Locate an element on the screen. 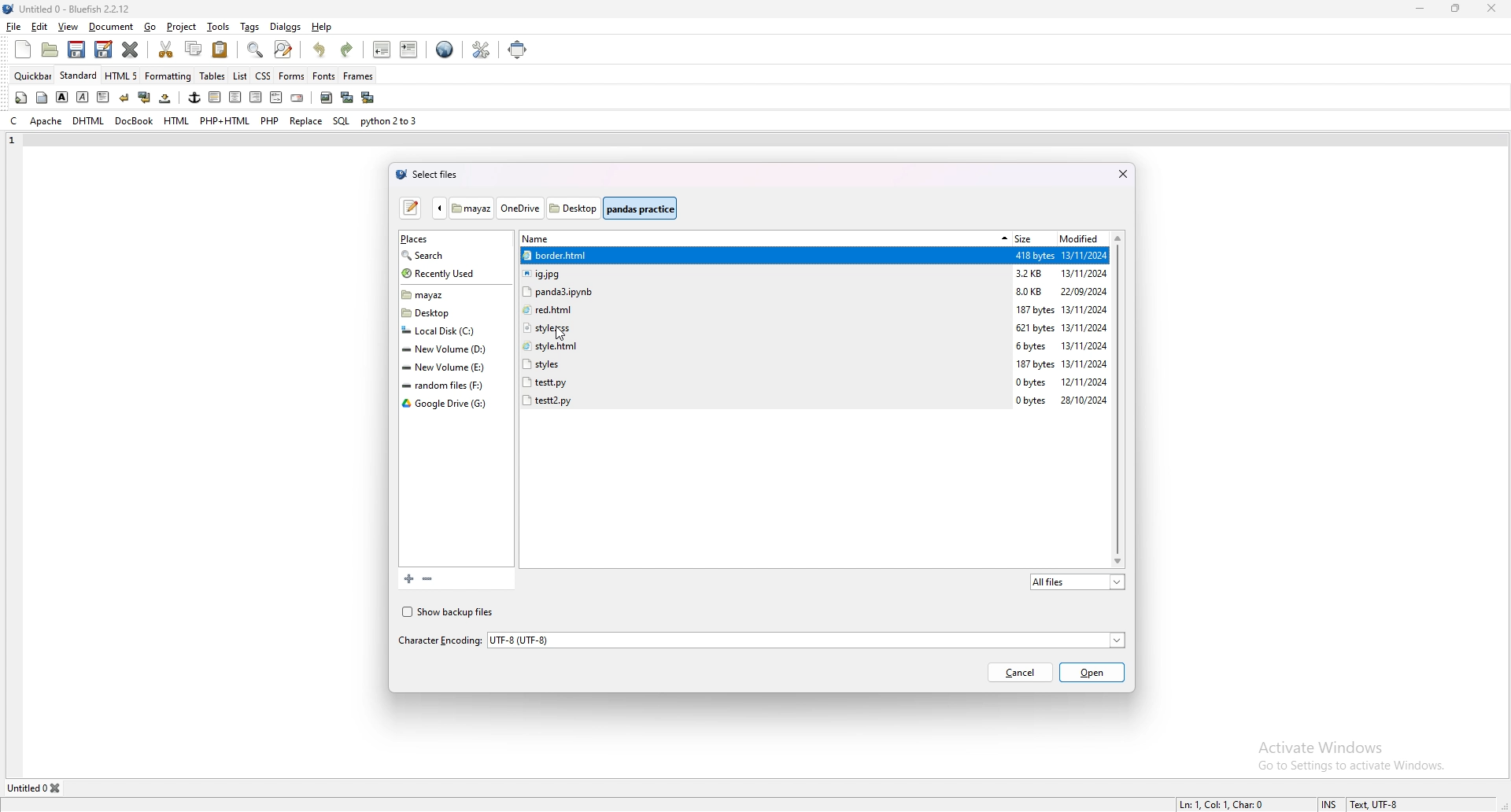  folder is located at coordinates (447, 404).